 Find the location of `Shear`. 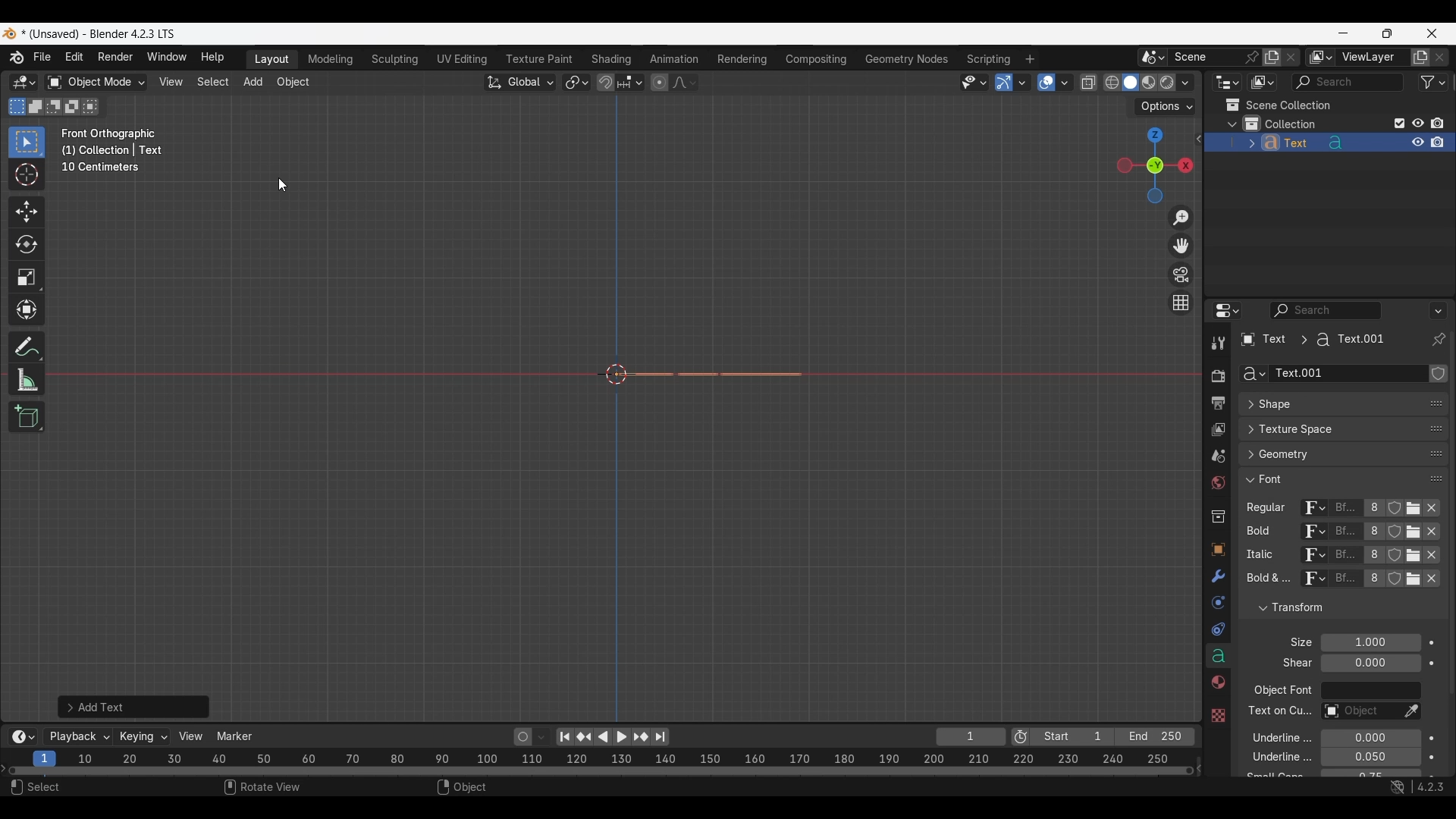

Shear is located at coordinates (1370, 663).